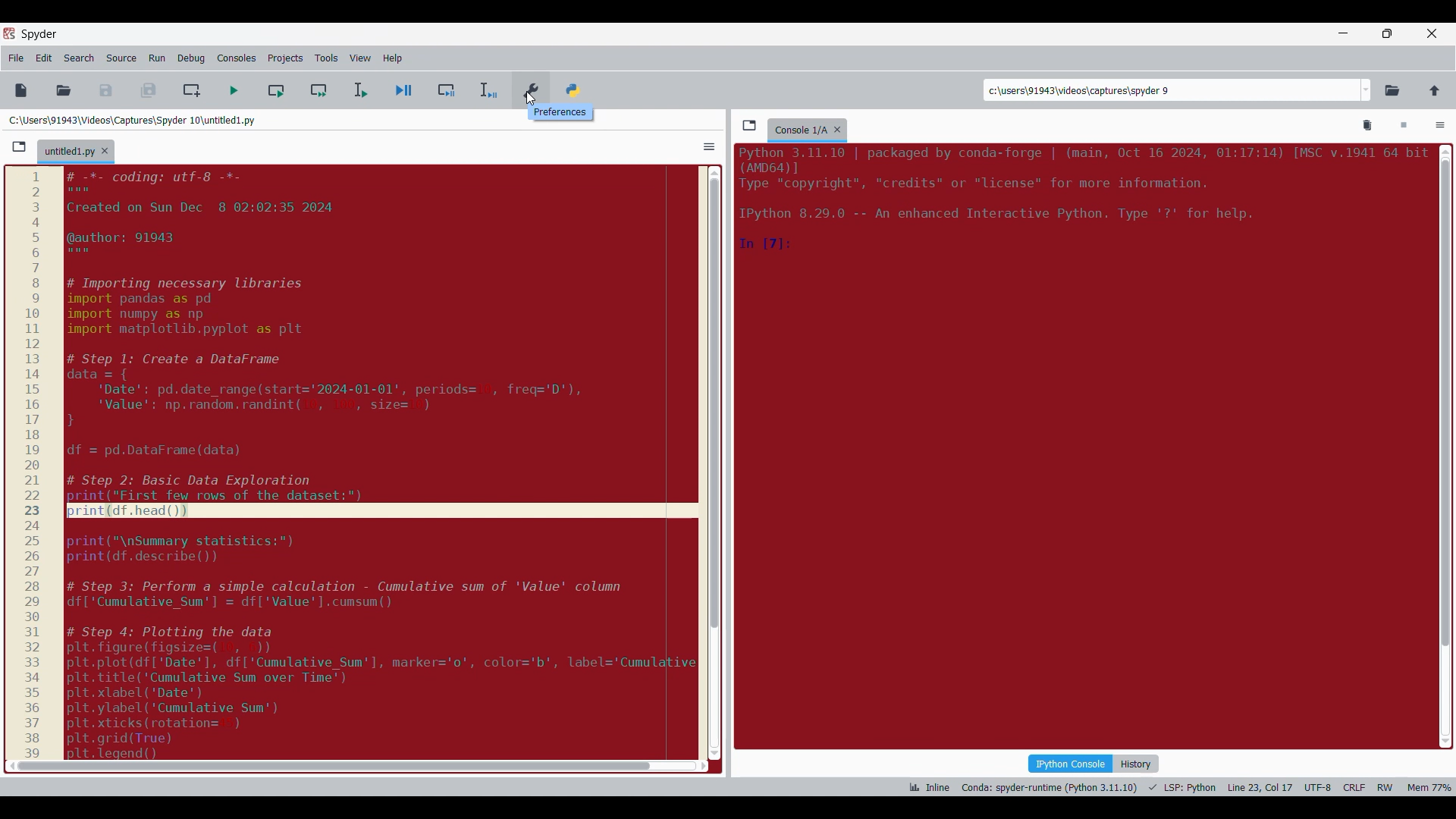 This screenshot has height=819, width=1456. Describe the element at coordinates (1435, 90) in the screenshot. I see `Change to parent directory` at that location.